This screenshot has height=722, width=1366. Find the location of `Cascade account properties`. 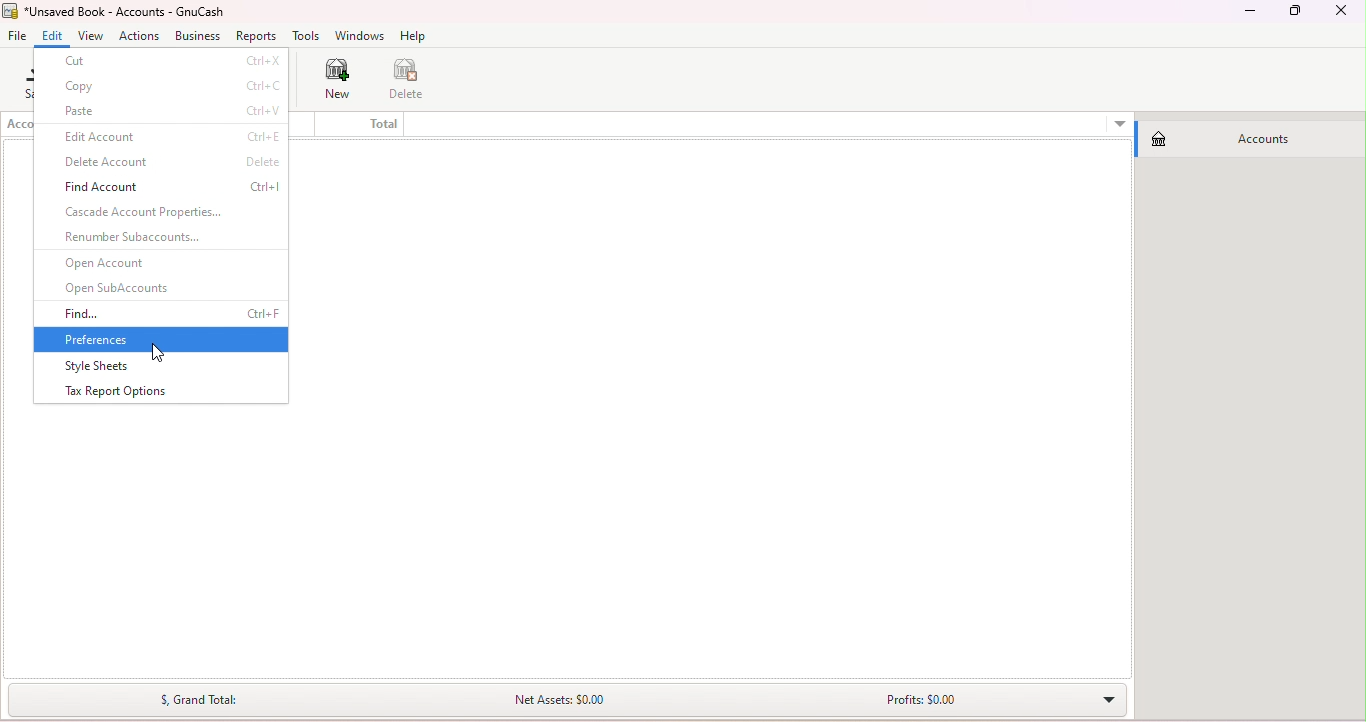

Cascade account properties is located at coordinates (163, 209).